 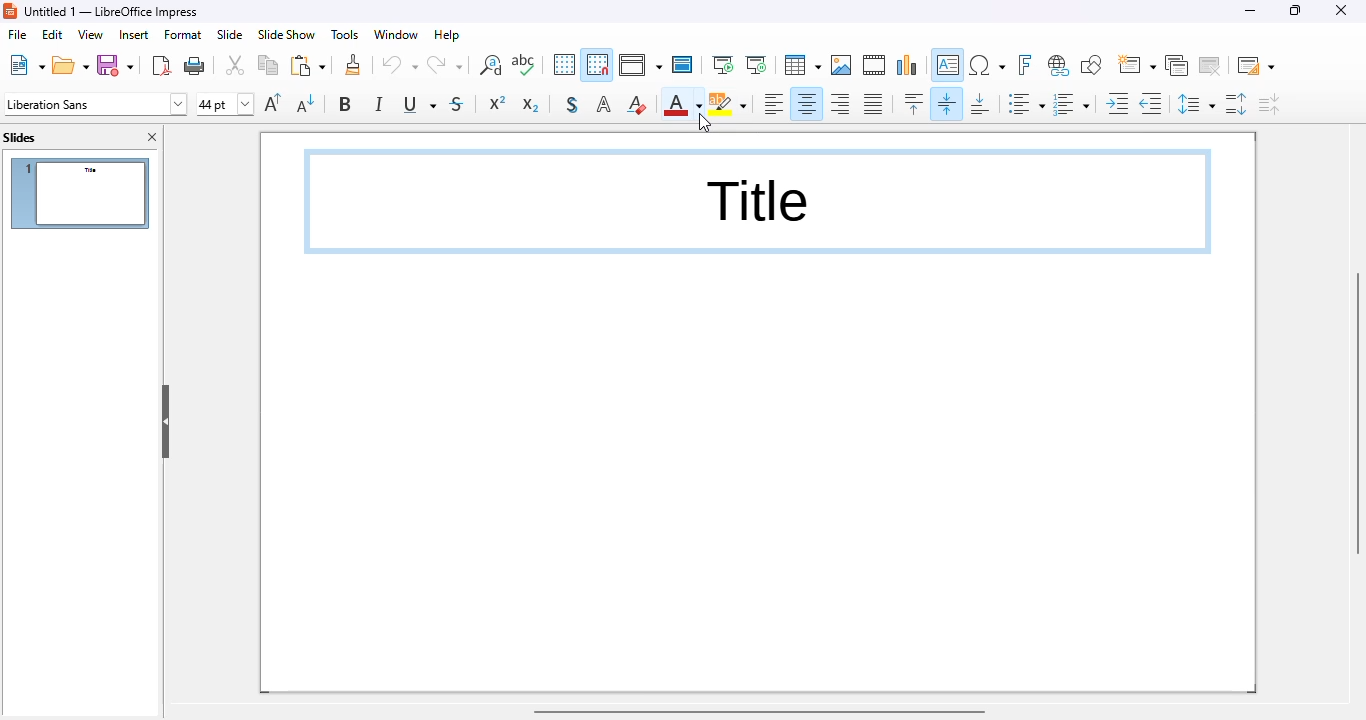 What do you see at coordinates (230, 35) in the screenshot?
I see `slide` at bounding box center [230, 35].